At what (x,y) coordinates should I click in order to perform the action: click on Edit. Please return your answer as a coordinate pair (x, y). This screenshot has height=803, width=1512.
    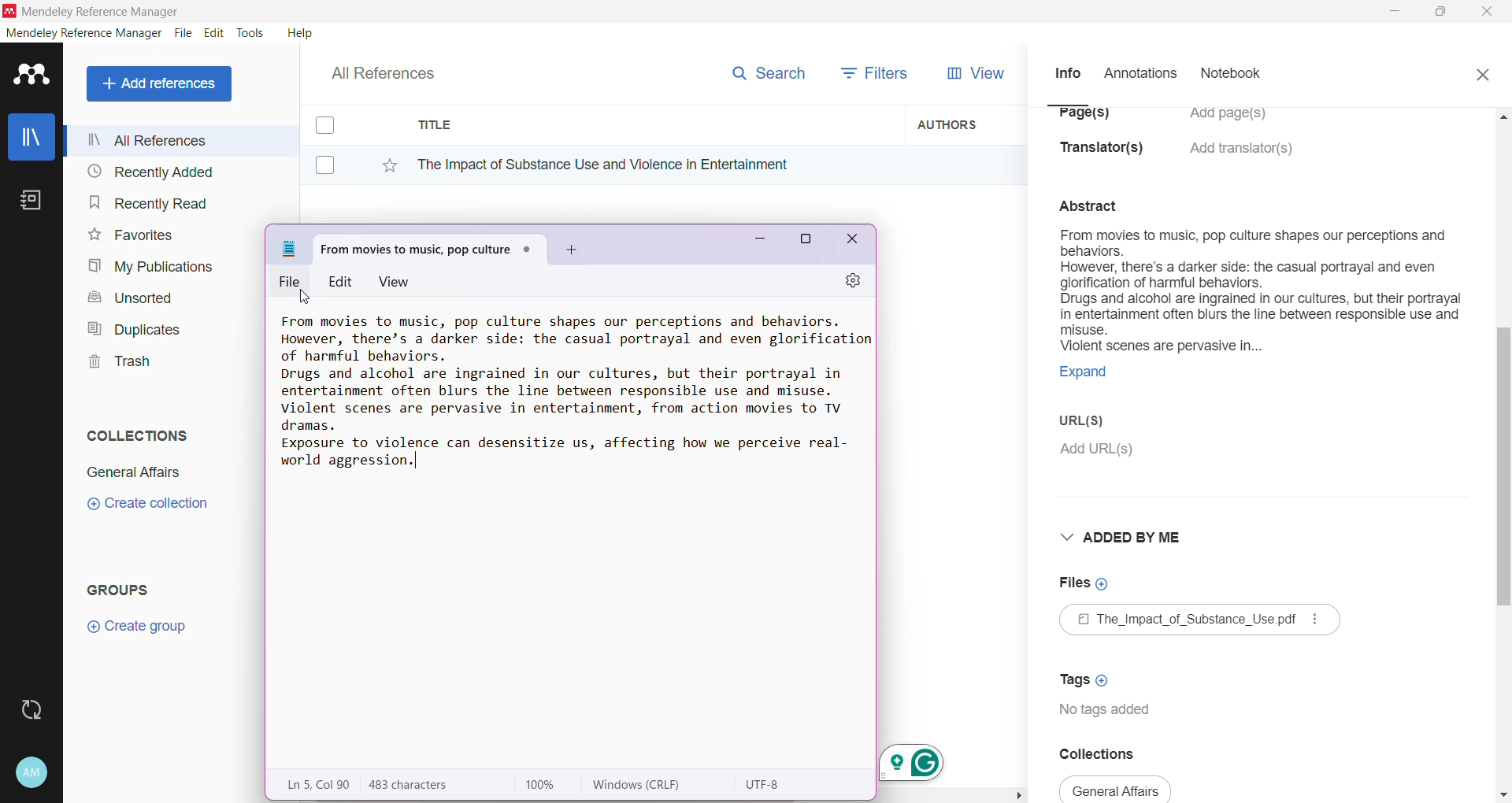
    Looking at the image, I should click on (214, 33).